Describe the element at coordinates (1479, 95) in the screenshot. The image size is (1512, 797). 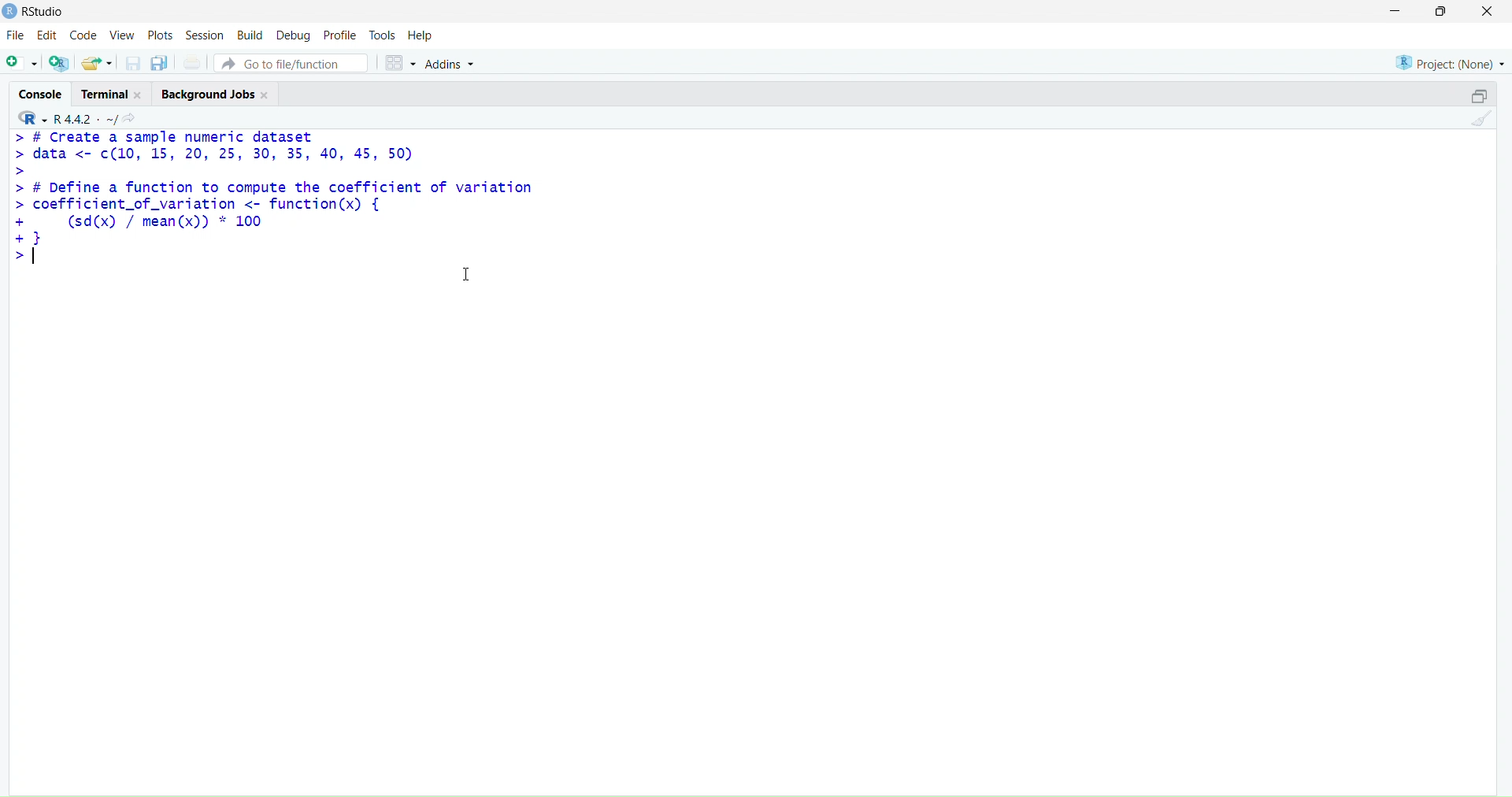
I see `open in separate window ` at that location.